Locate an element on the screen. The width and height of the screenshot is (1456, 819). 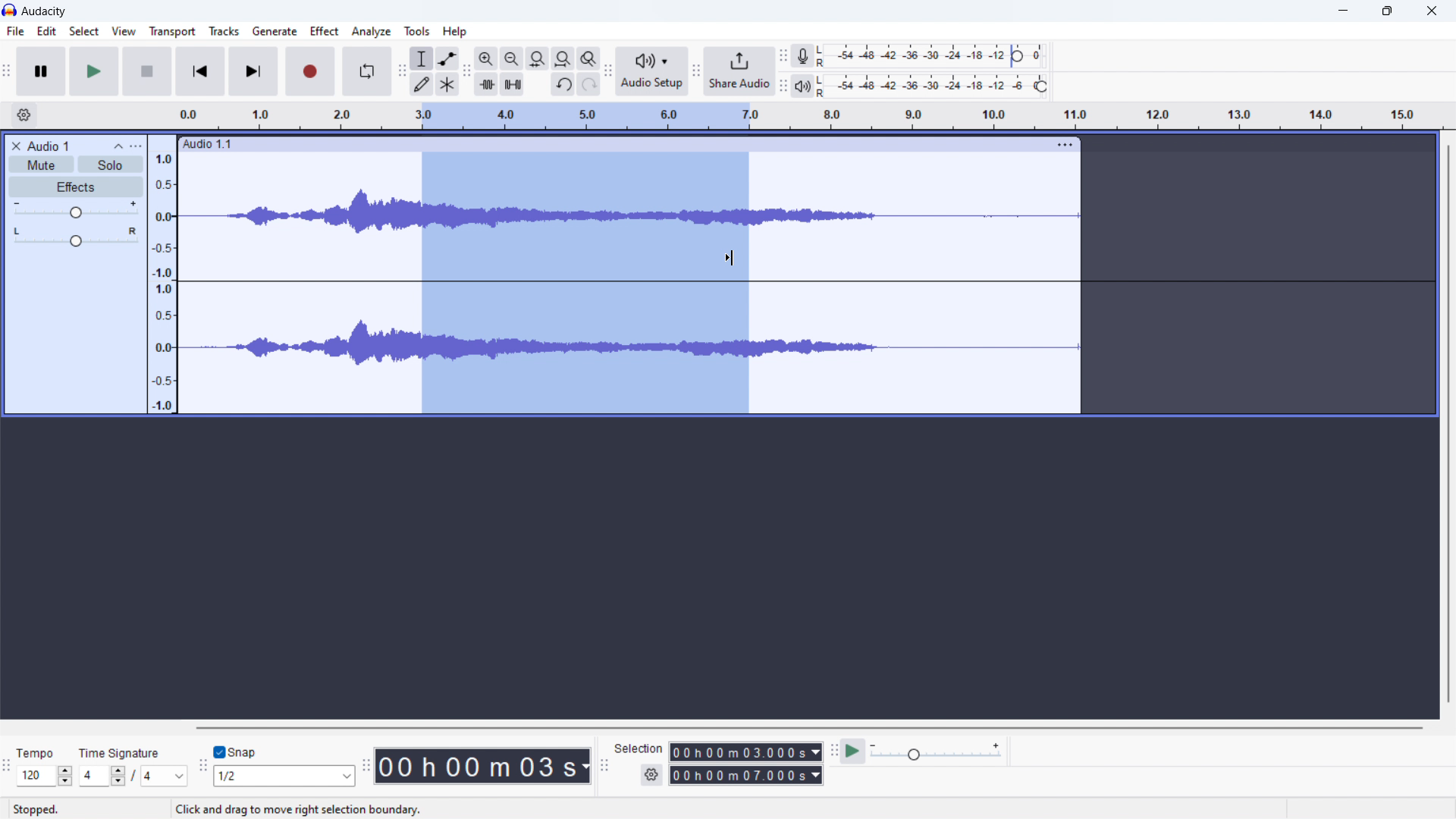
play is located at coordinates (95, 71).